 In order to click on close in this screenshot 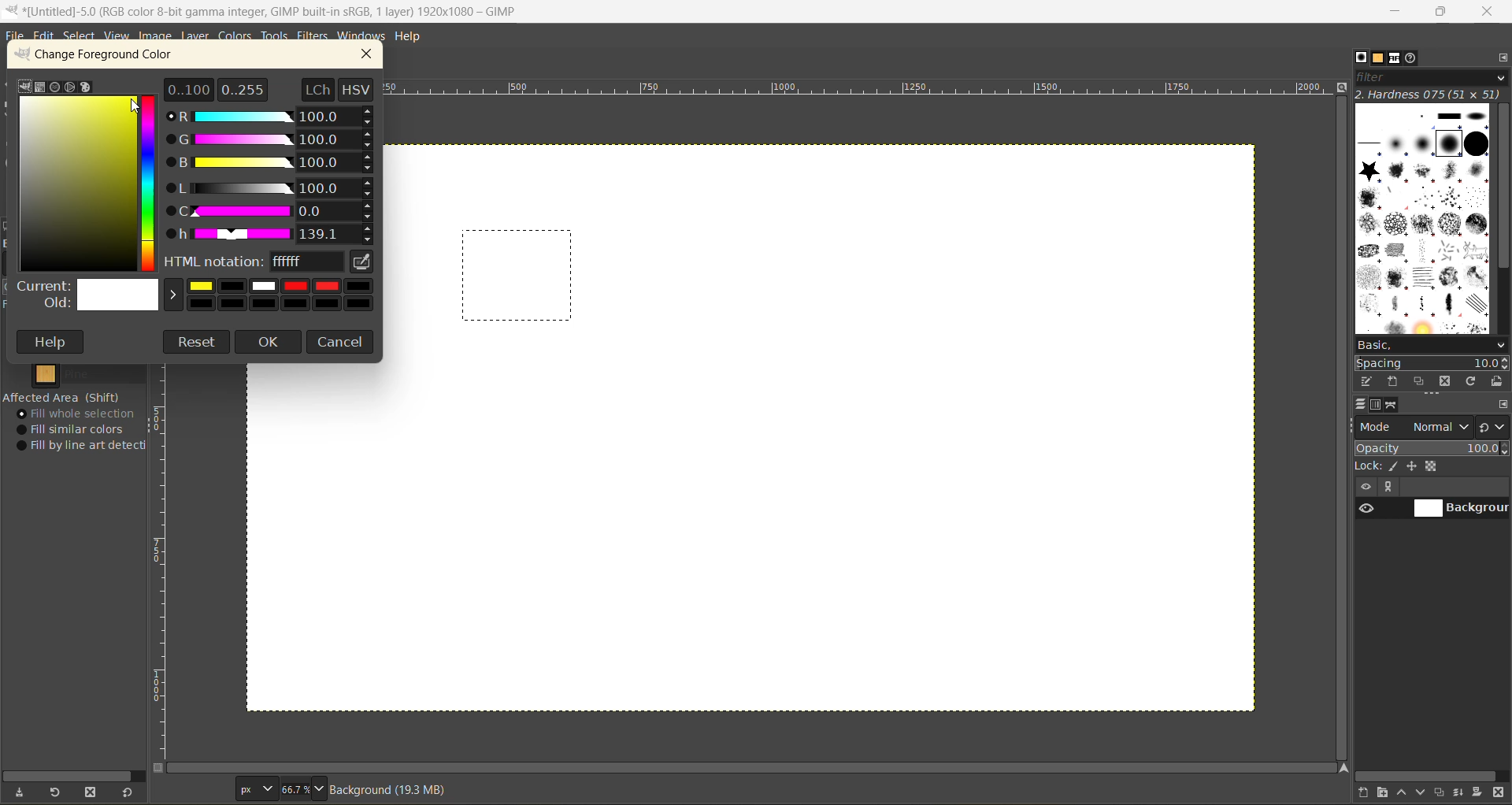, I will do `click(1491, 11)`.